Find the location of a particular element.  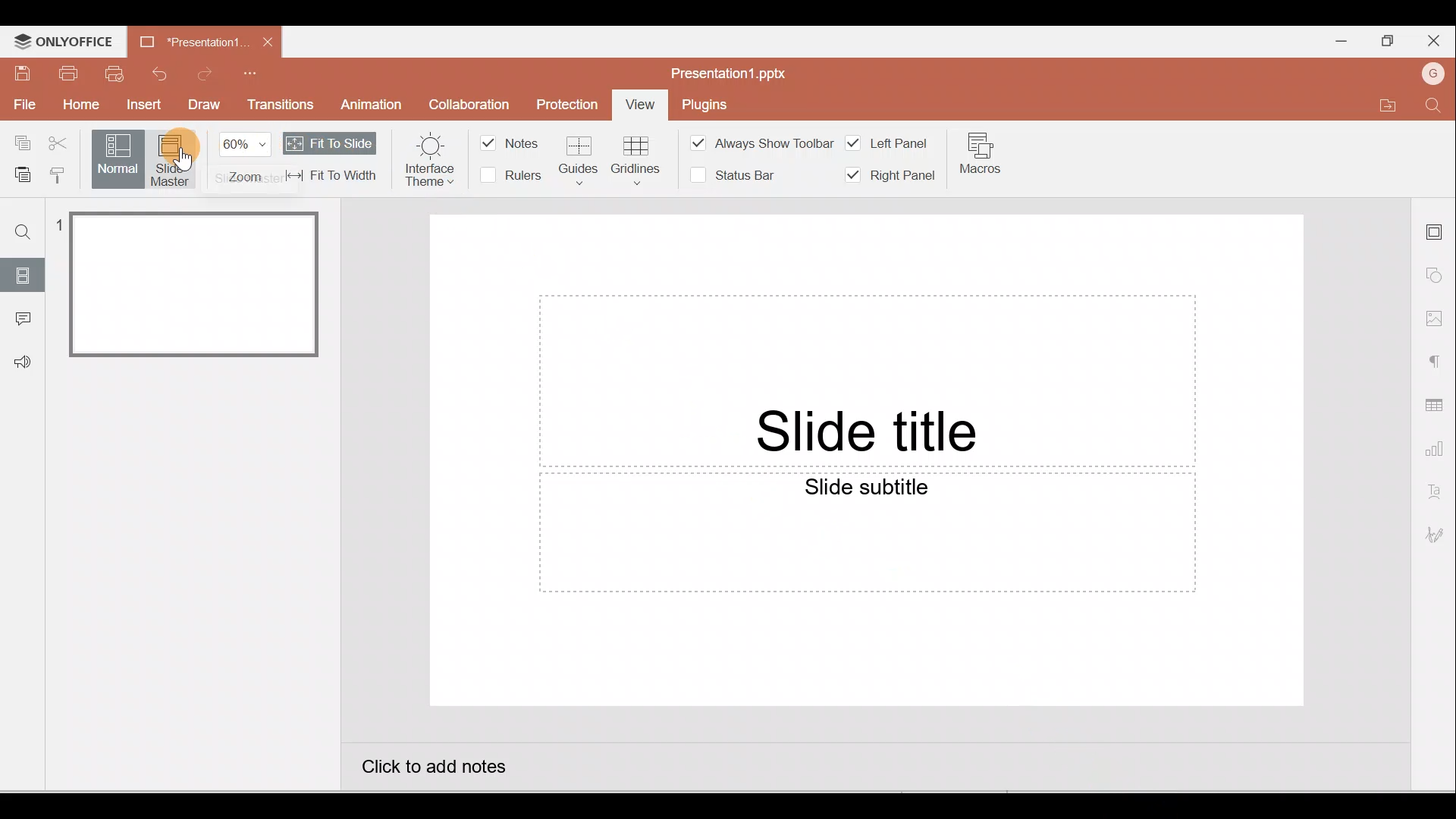

Document name is located at coordinates (187, 39).